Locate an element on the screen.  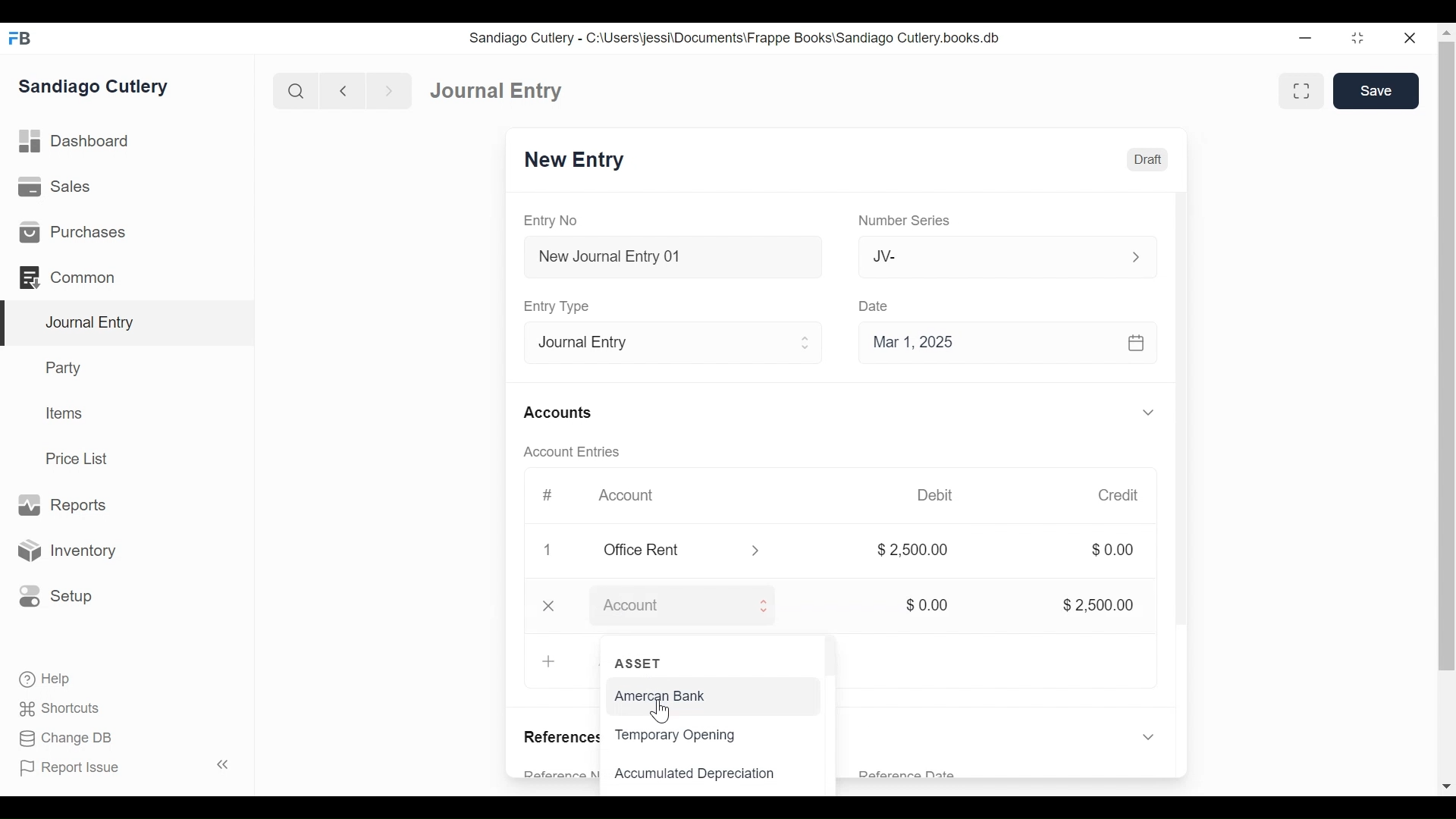
New Journal Entry 01 is located at coordinates (678, 256).